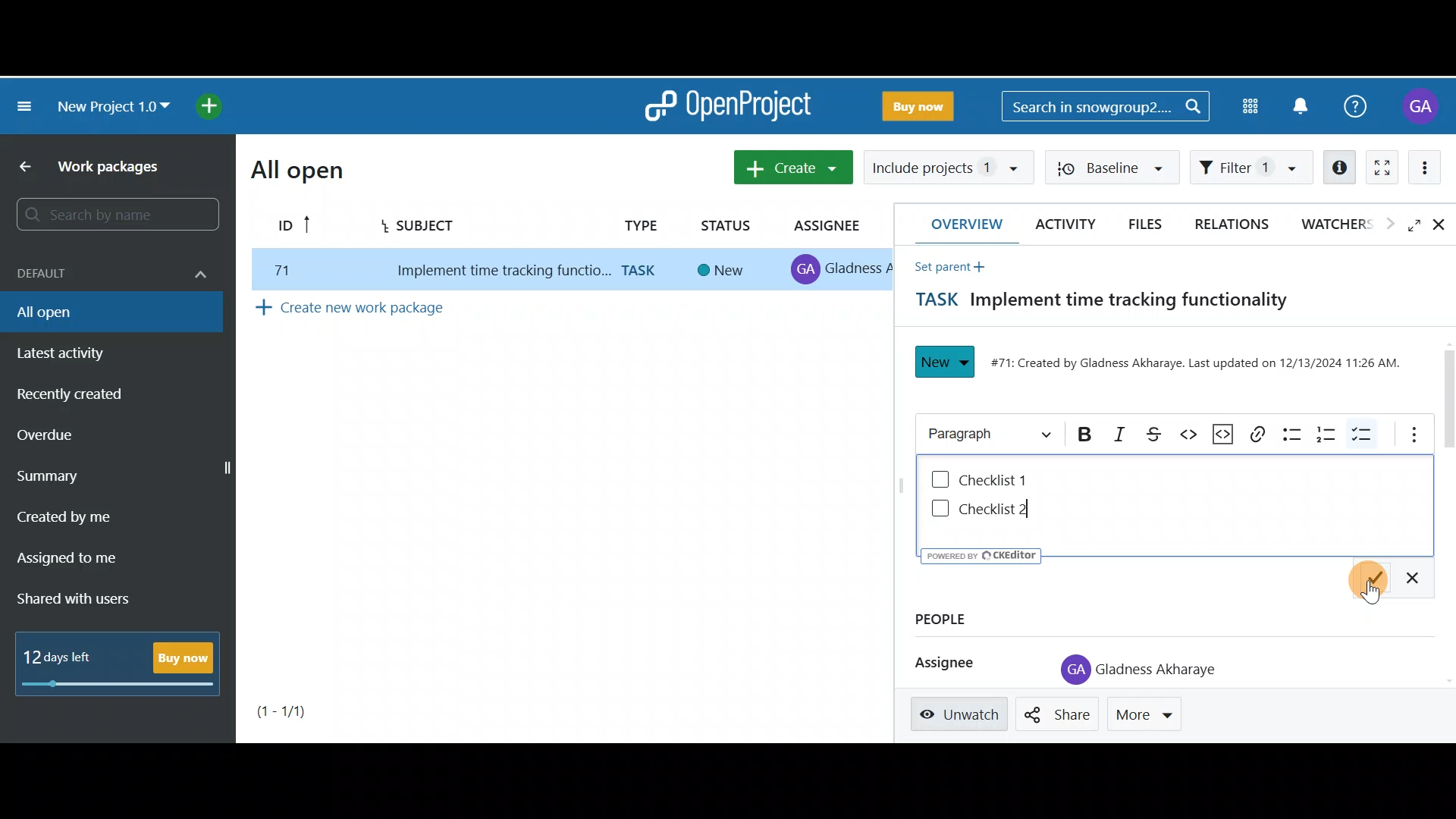 The width and height of the screenshot is (1456, 819). Describe the element at coordinates (946, 362) in the screenshot. I see `New` at that location.